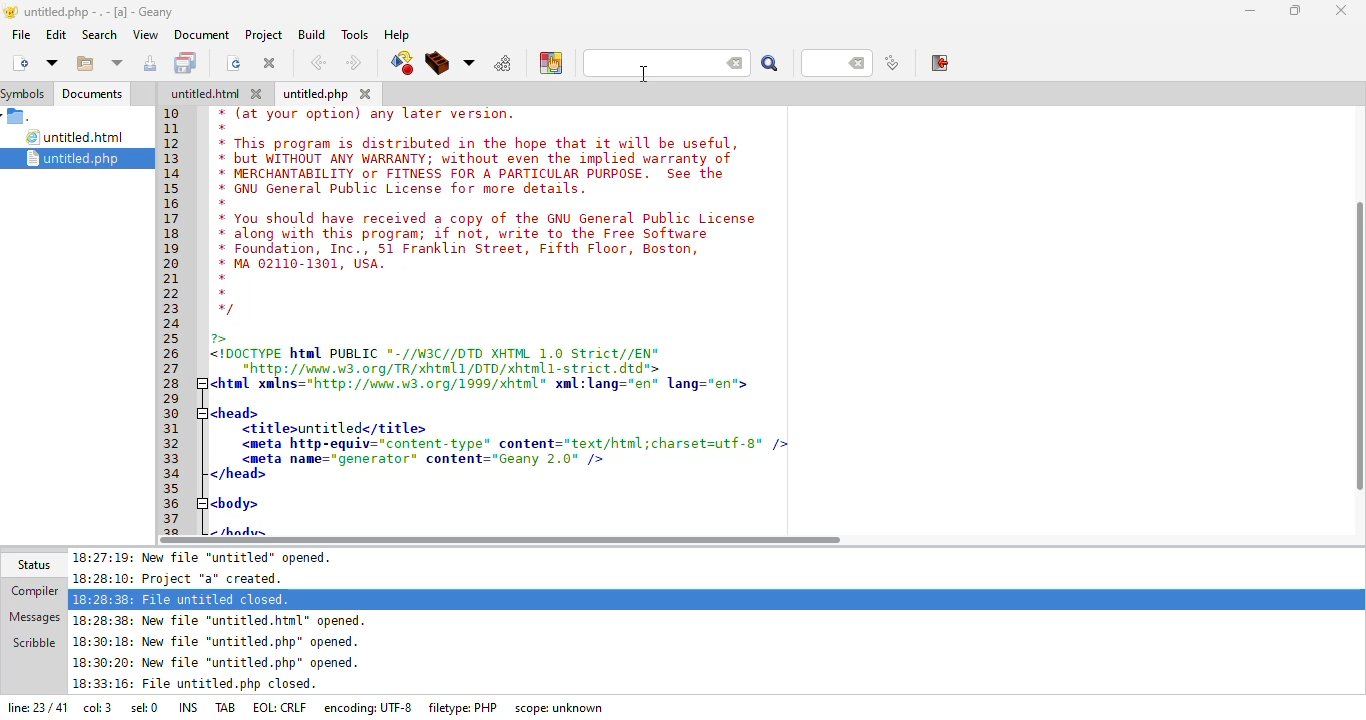  What do you see at coordinates (464, 250) in the screenshot?
I see `* Foundation, Inc., 51 Franklin Street, Fifth Floor, Boston,` at bounding box center [464, 250].